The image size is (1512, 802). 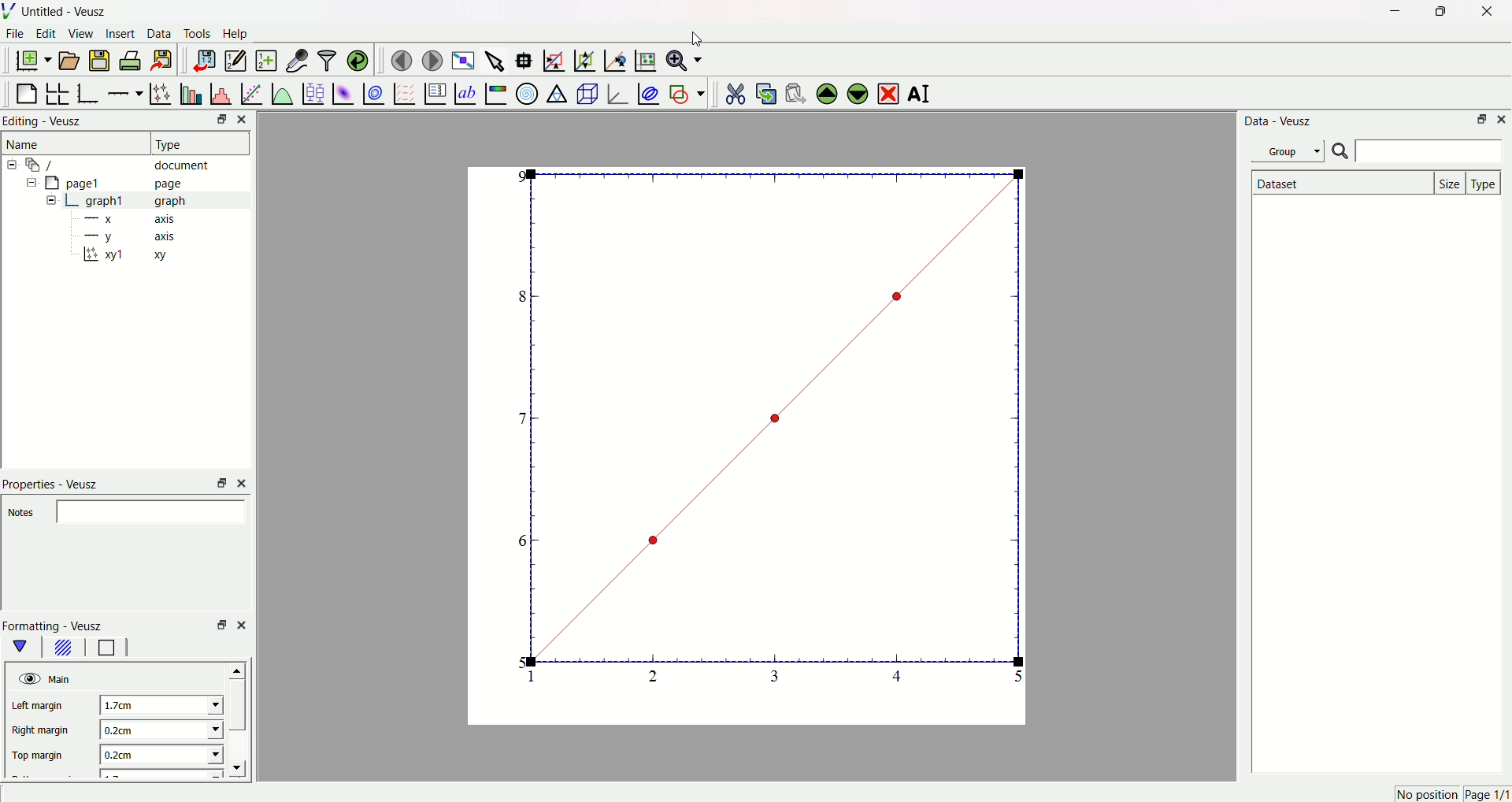 I want to click on xy1 xy, so click(x=135, y=255).